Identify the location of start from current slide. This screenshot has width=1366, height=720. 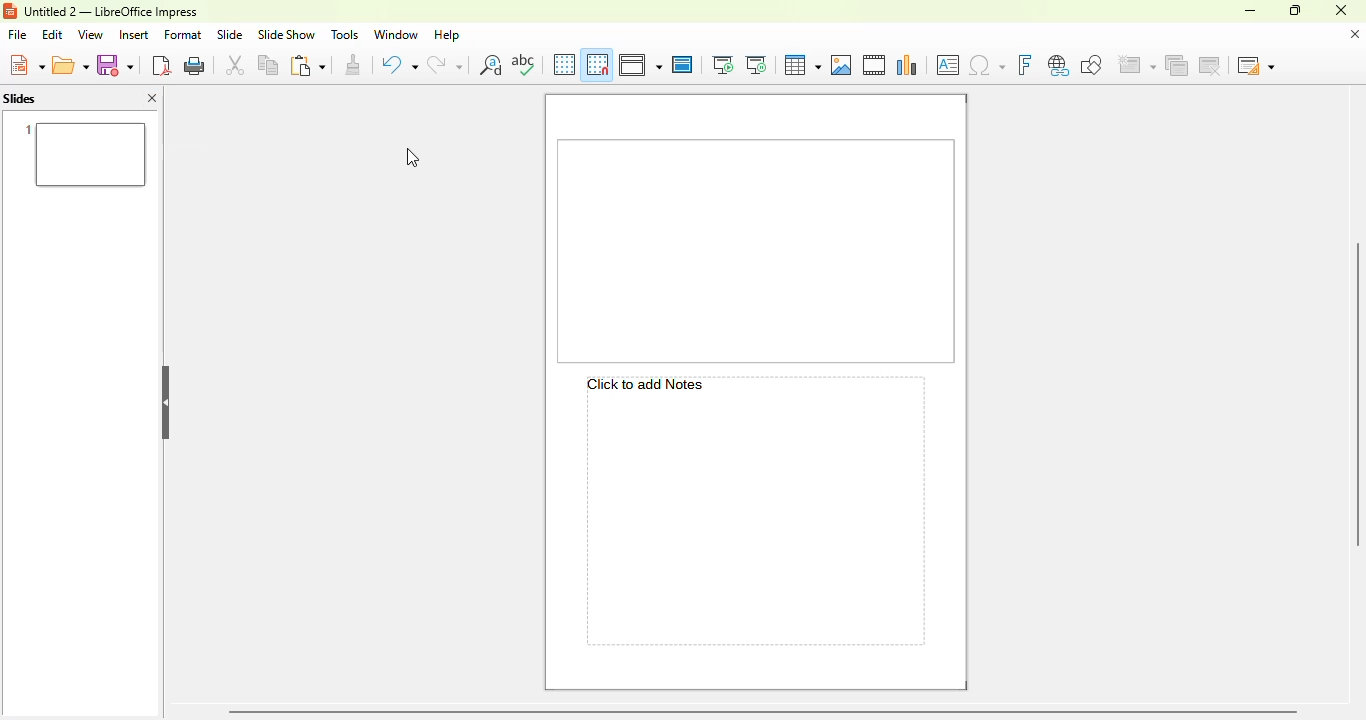
(756, 65).